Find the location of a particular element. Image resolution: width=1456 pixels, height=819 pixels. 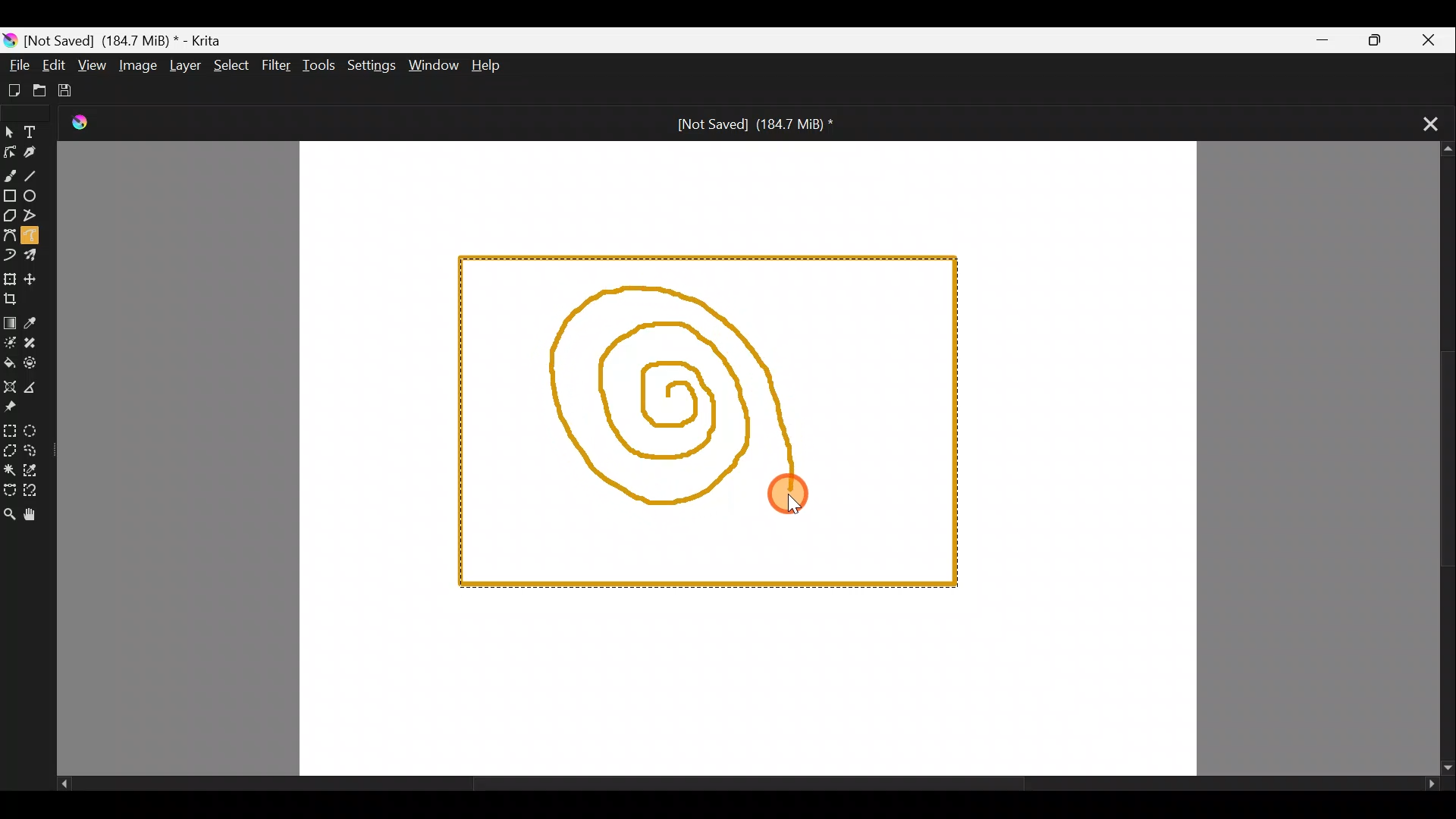

Close is located at coordinates (1429, 39).